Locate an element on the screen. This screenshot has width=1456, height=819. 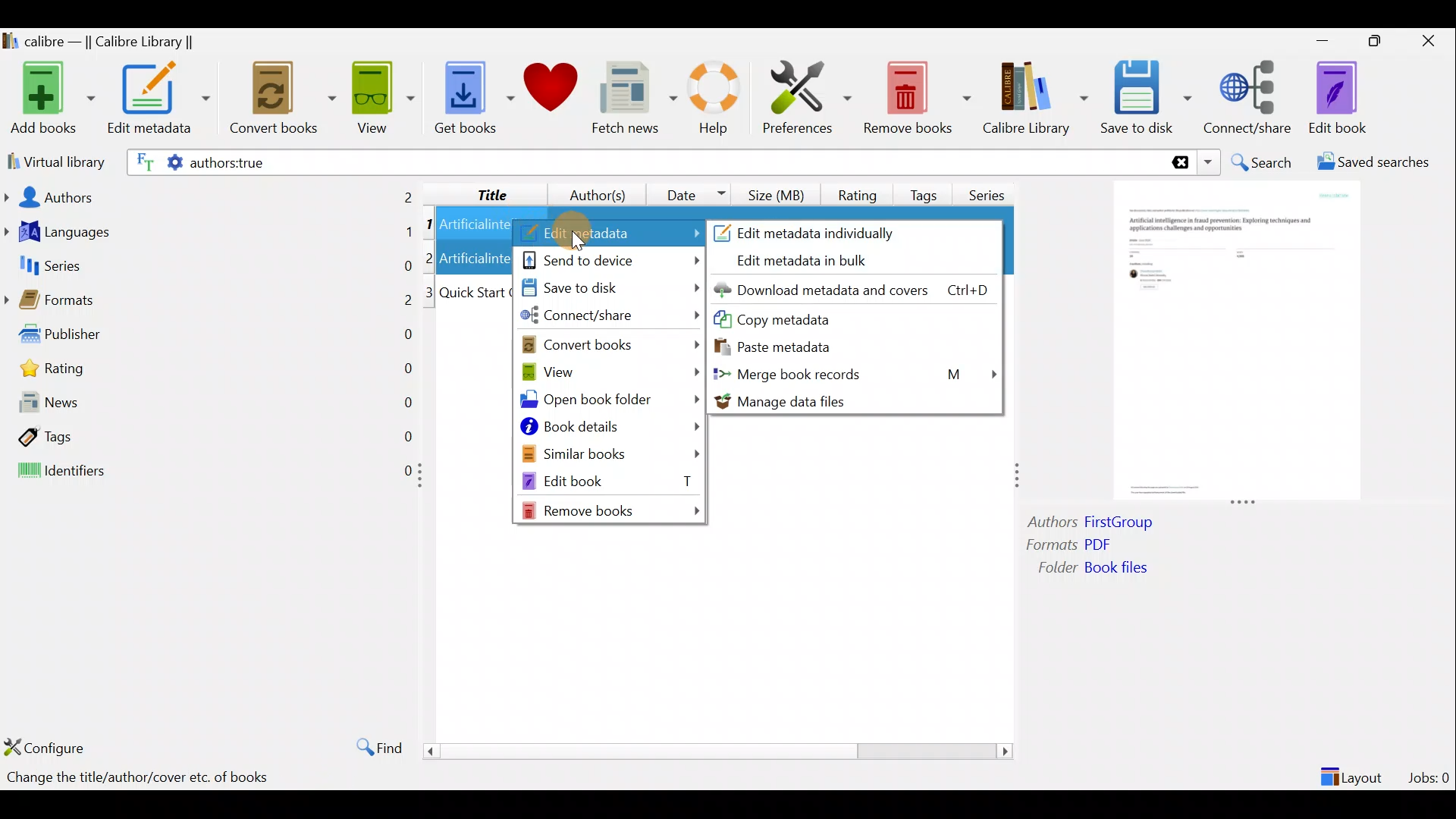
Edit metadata is located at coordinates (158, 101).